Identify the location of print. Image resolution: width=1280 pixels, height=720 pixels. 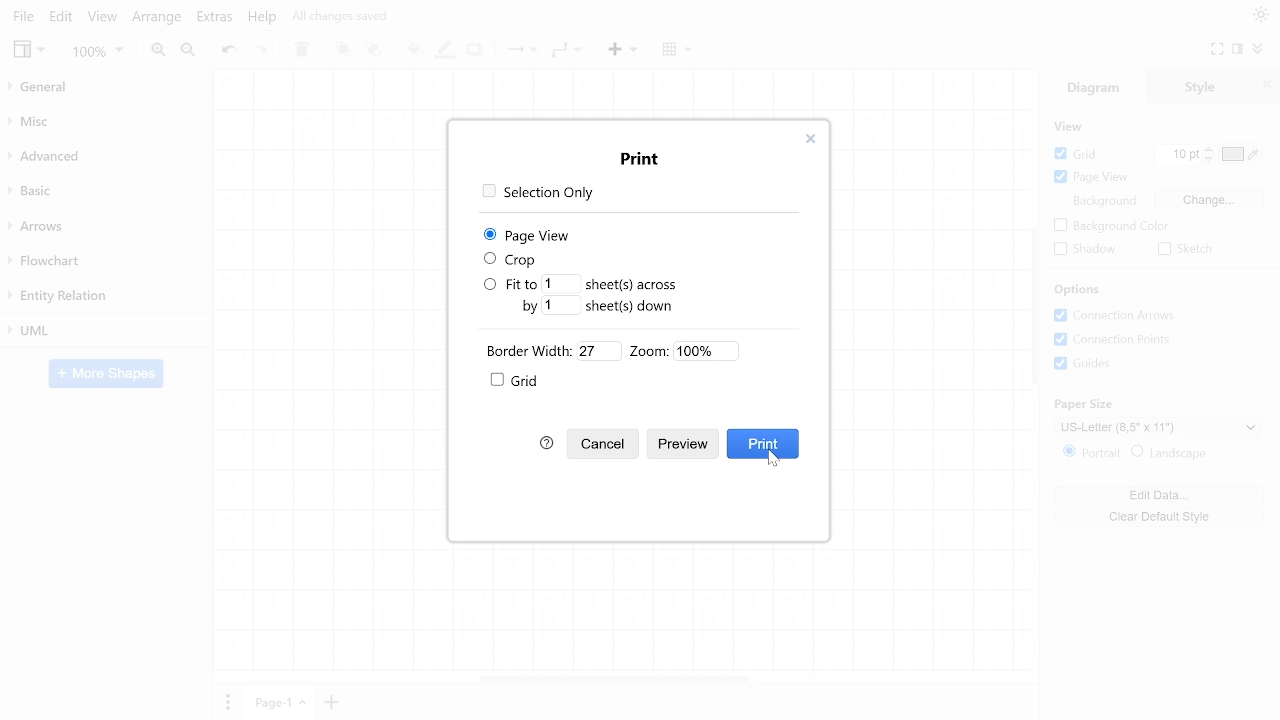
(640, 163).